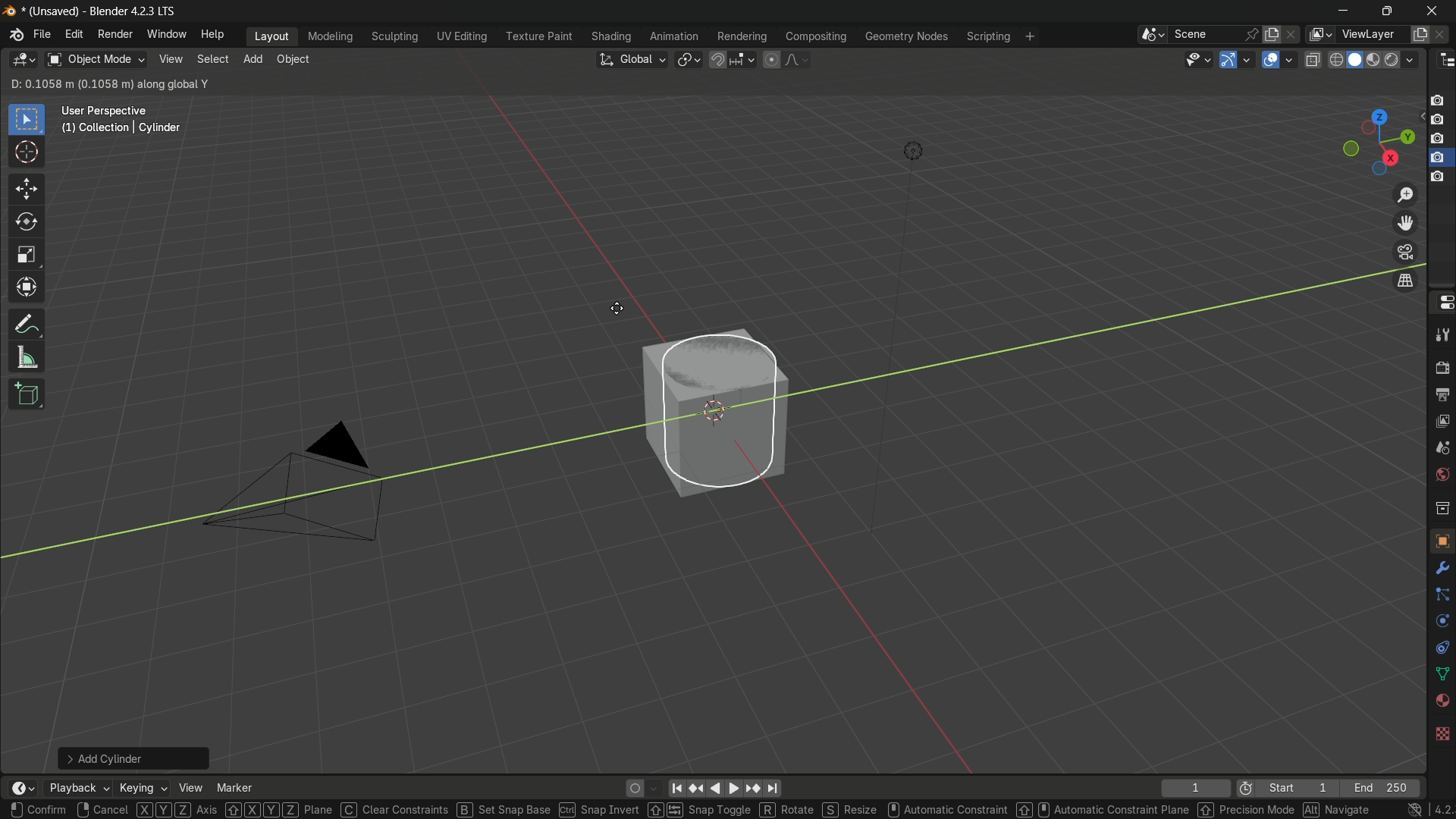 The image size is (1456, 819). Describe the element at coordinates (26, 395) in the screenshot. I see `add cube` at that location.